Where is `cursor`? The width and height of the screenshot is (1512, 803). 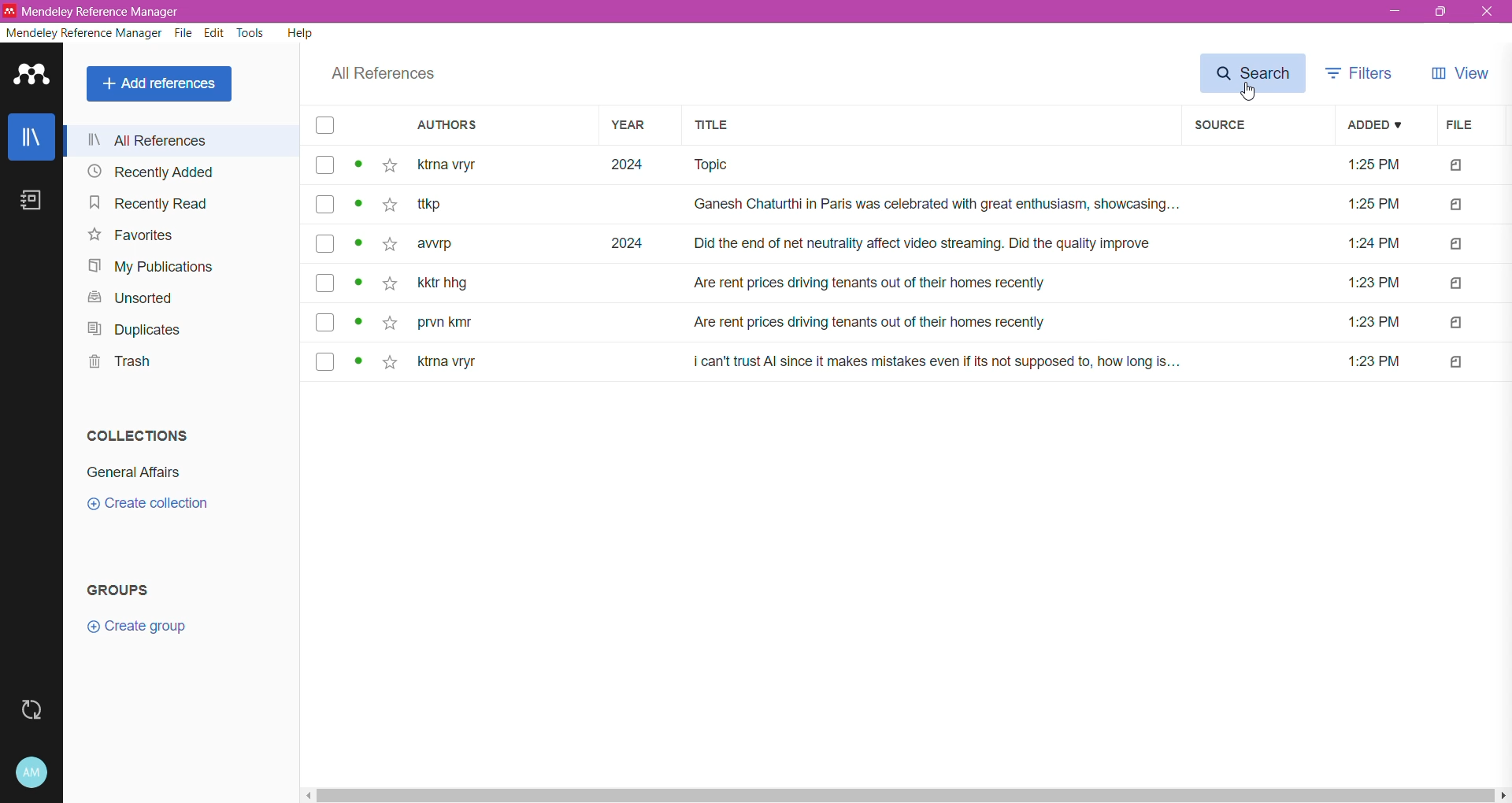
cursor is located at coordinates (1249, 94).